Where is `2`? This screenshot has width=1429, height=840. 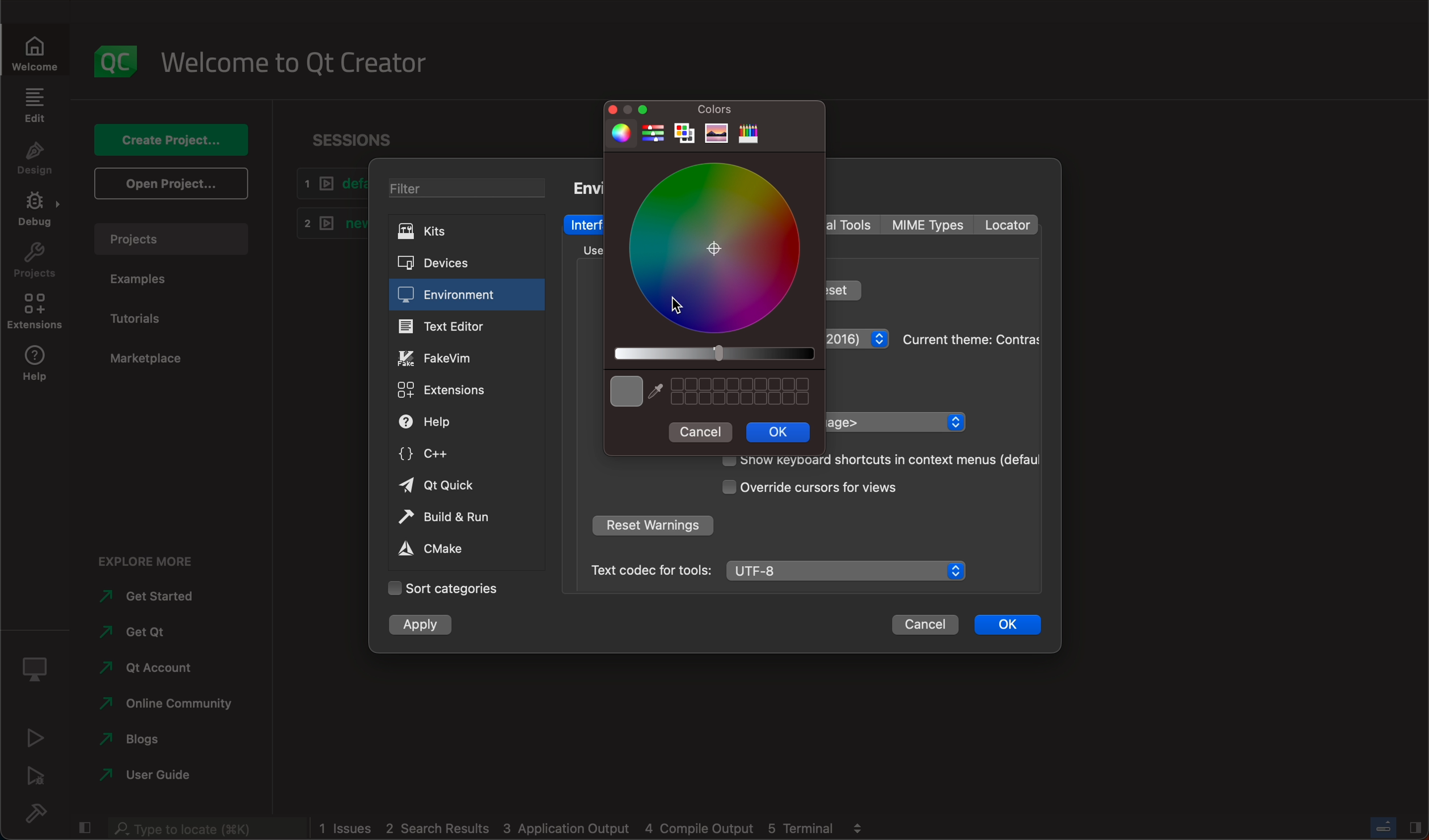
2 is located at coordinates (327, 222).